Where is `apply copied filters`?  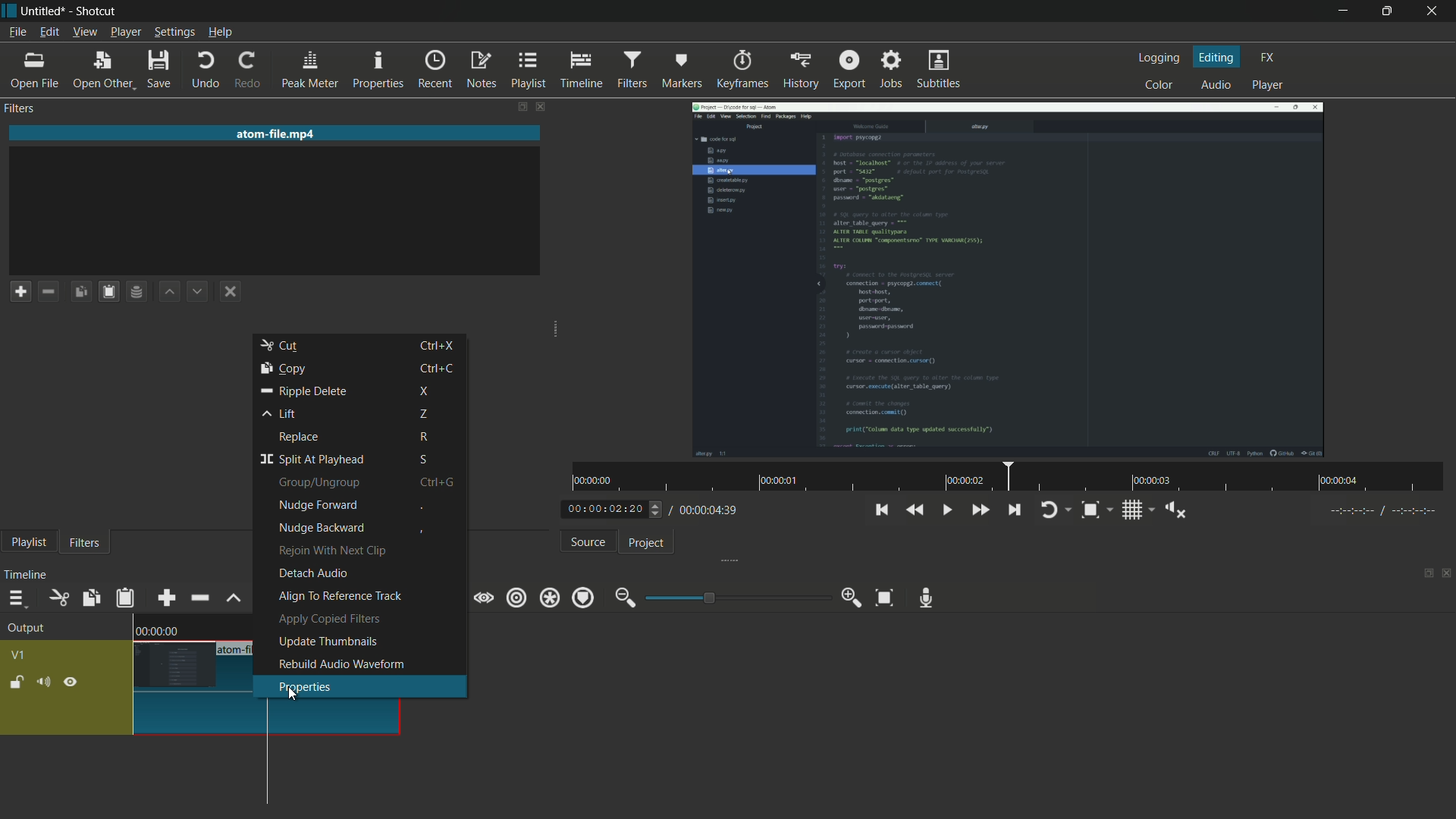
apply copied filters is located at coordinates (331, 619).